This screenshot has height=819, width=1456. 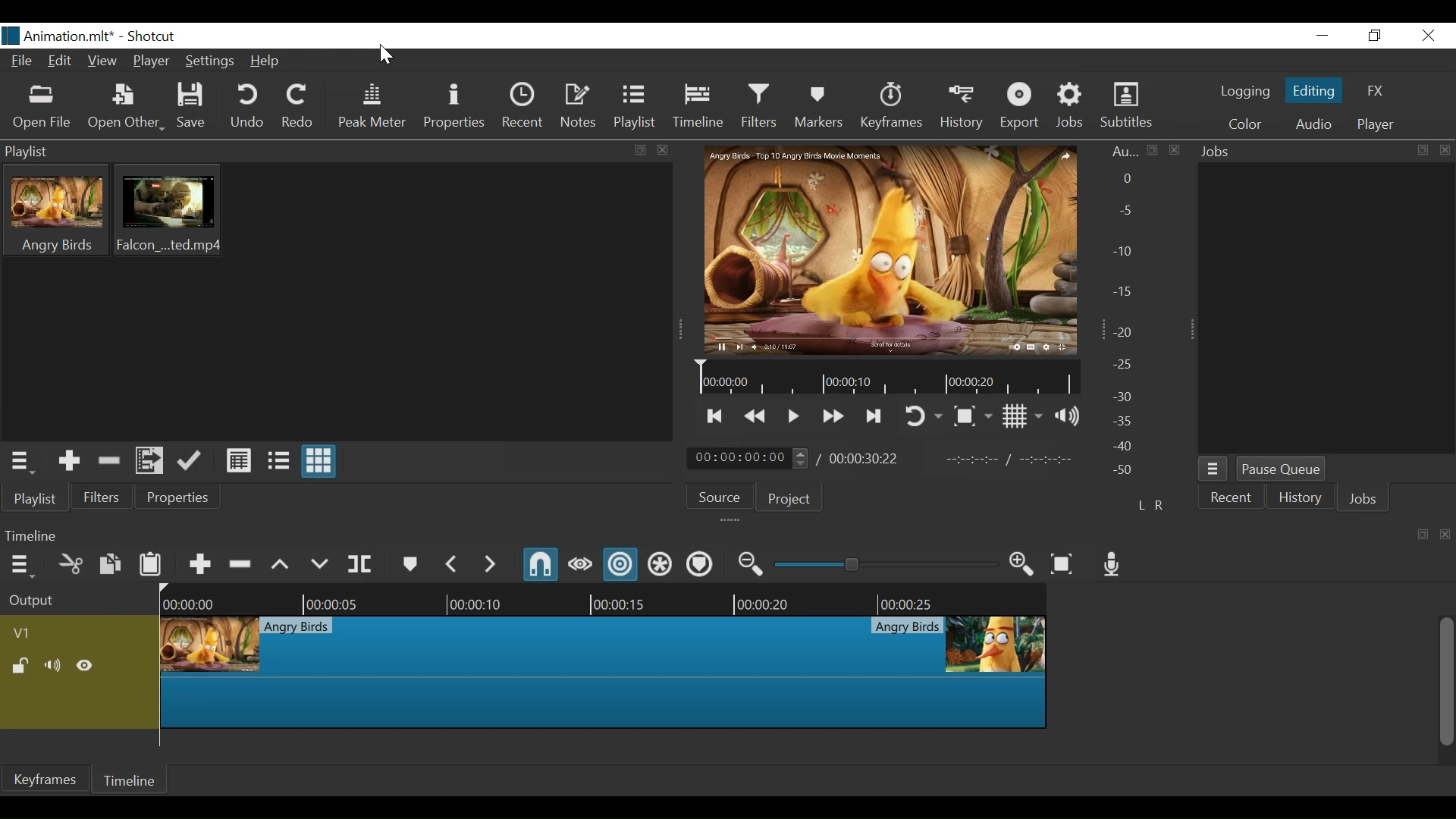 I want to click on Shotcut, so click(x=156, y=37).